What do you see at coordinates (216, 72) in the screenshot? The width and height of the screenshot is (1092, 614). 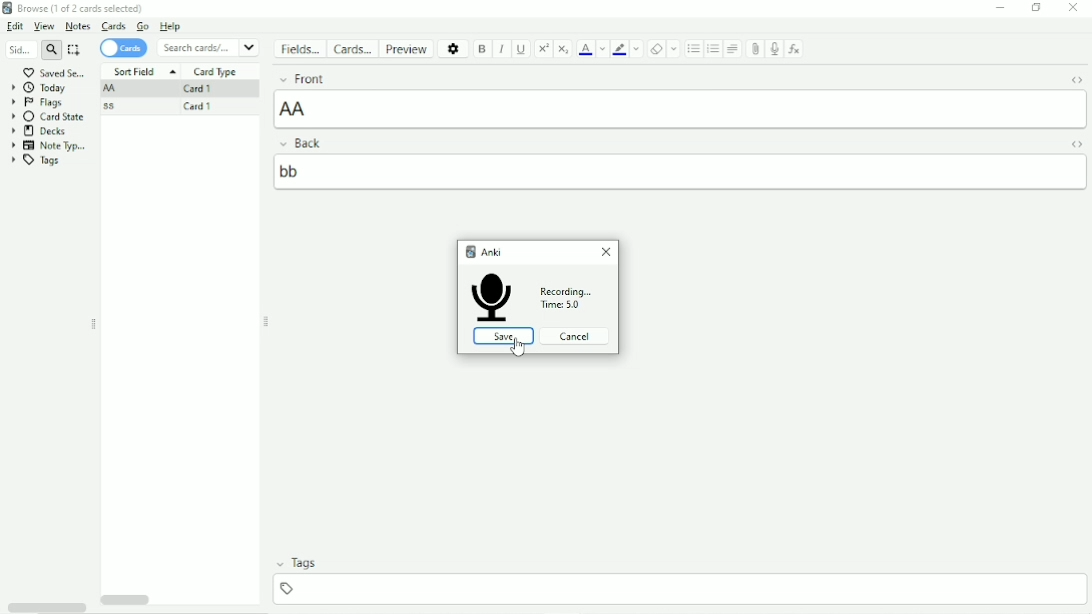 I see `Card Type` at bounding box center [216, 72].